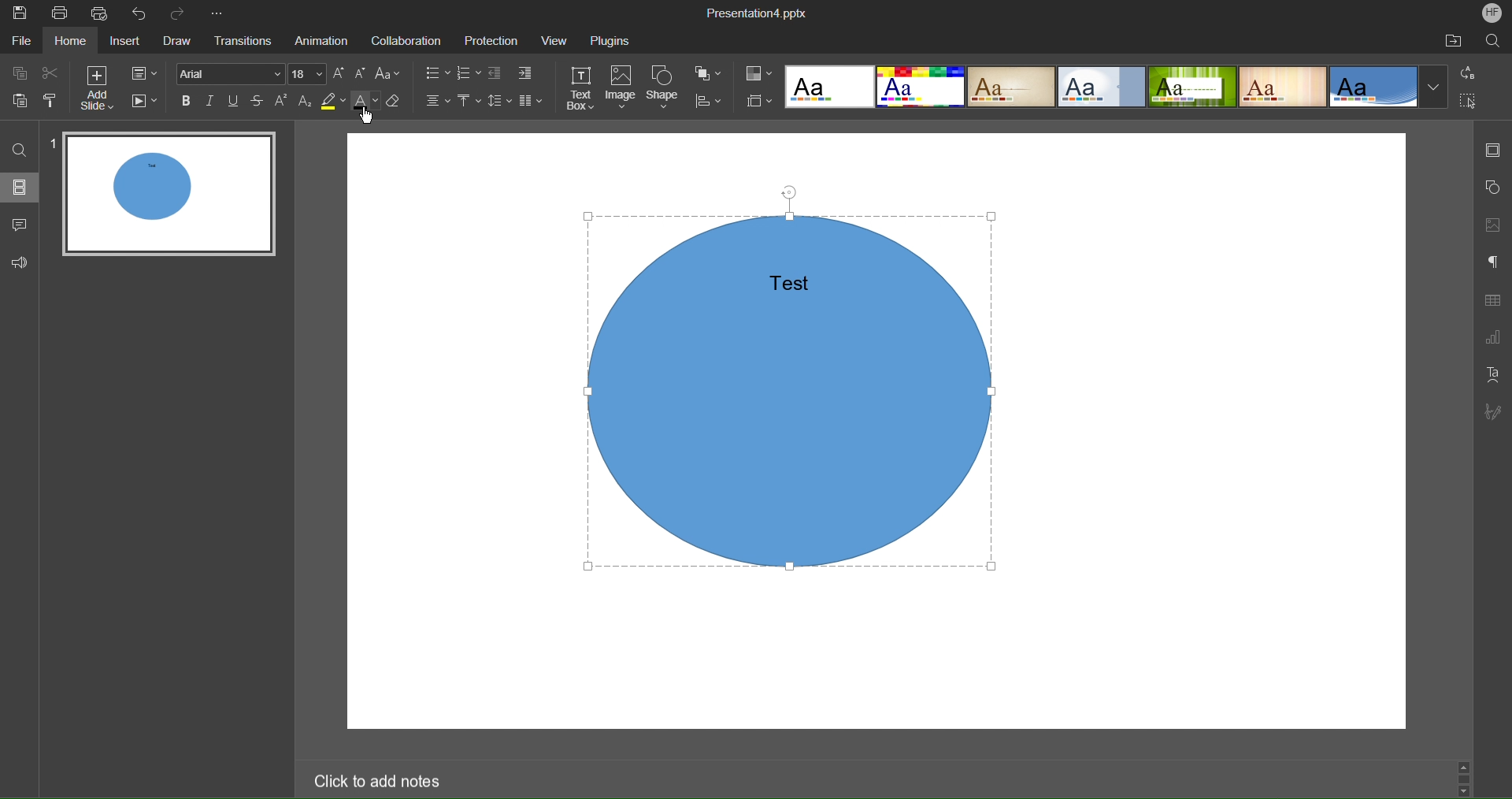 The image size is (1512, 799). I want to click on Slide Size Settings, so click(761, 102).